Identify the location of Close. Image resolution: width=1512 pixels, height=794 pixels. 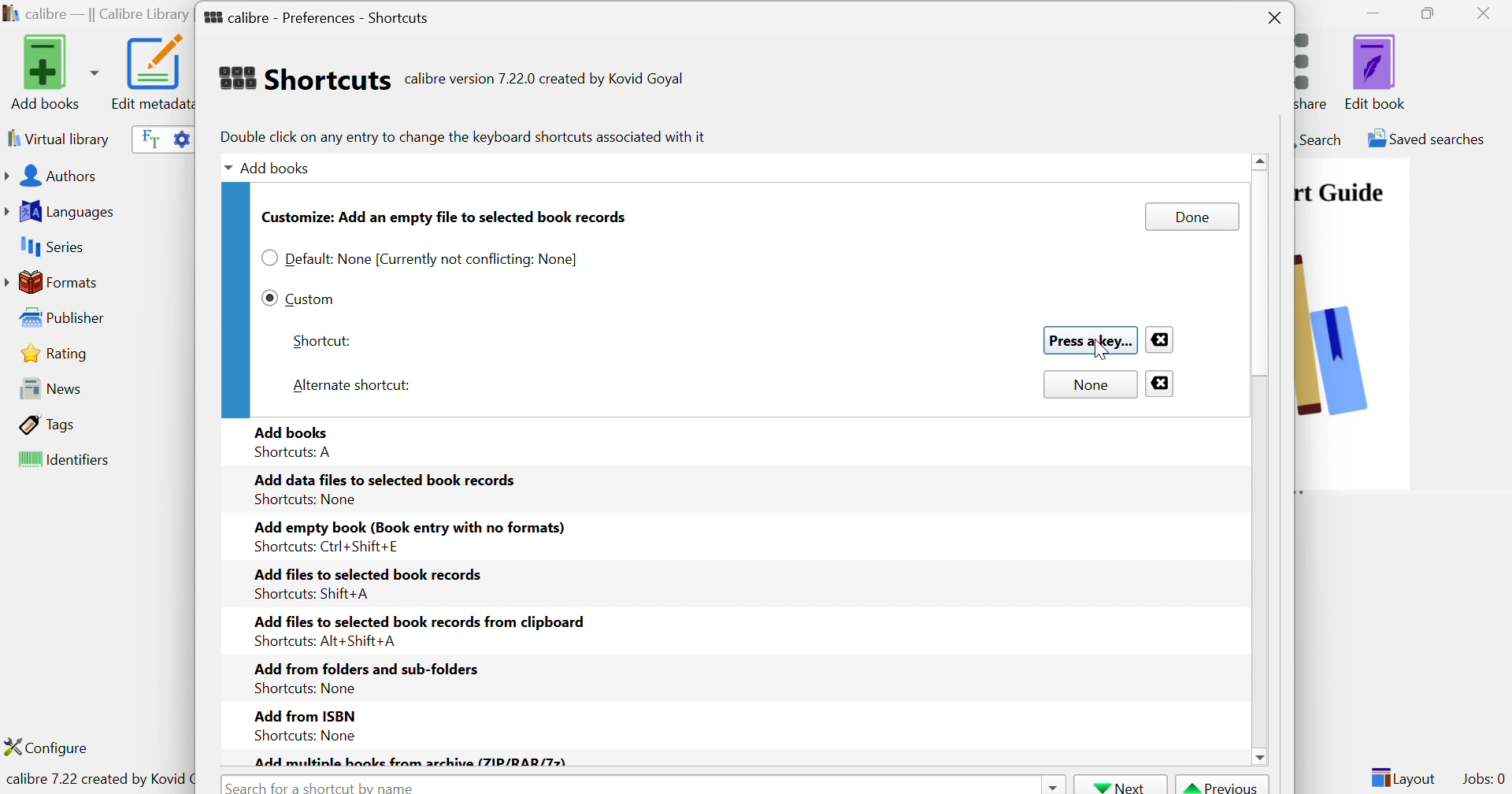
(1158, 338).